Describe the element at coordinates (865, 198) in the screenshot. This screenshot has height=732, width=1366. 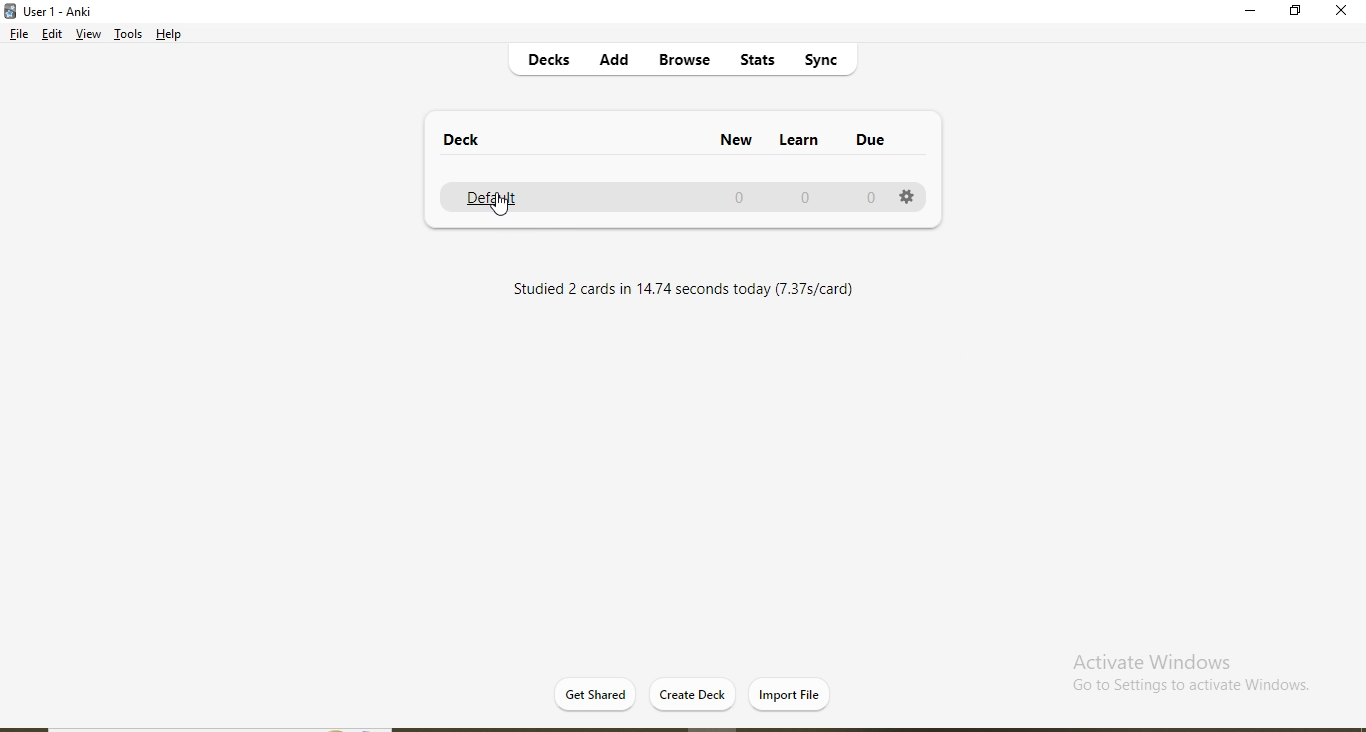
I see `0` at that location.